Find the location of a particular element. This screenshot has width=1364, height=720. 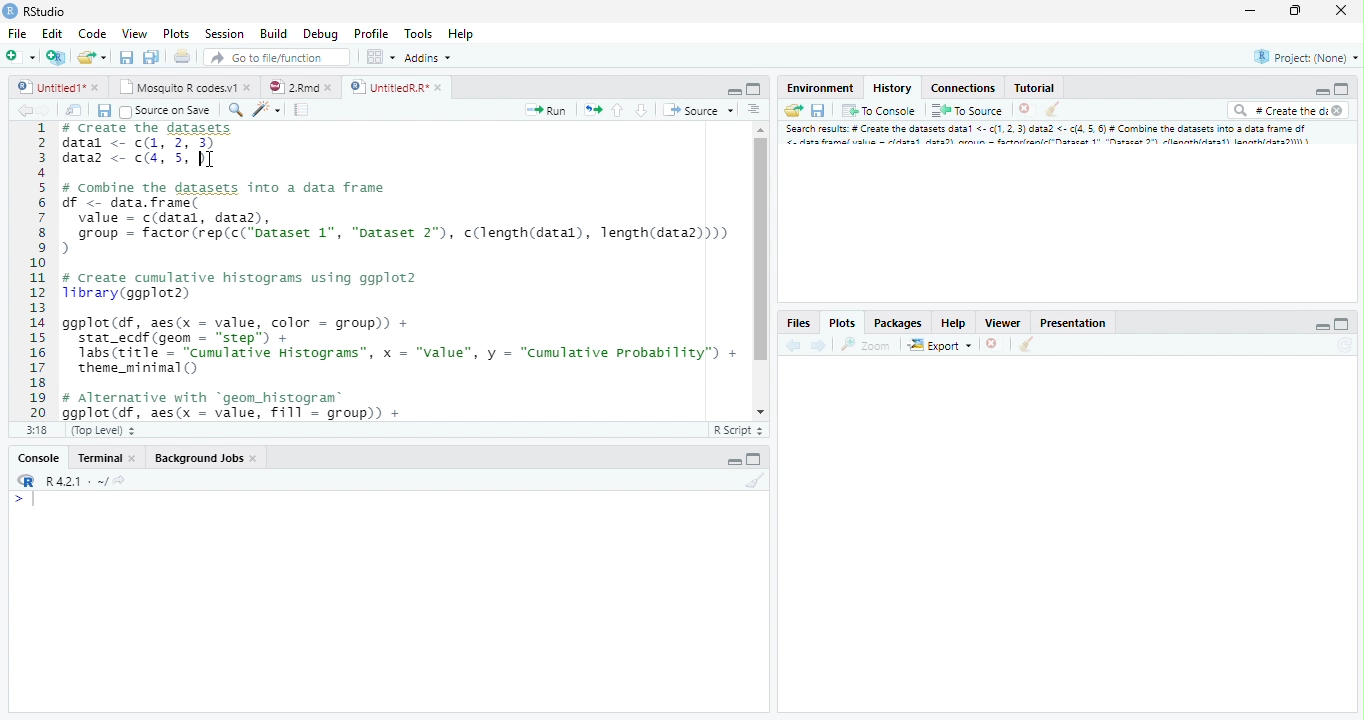

Build is located at coordinates (275, 34).